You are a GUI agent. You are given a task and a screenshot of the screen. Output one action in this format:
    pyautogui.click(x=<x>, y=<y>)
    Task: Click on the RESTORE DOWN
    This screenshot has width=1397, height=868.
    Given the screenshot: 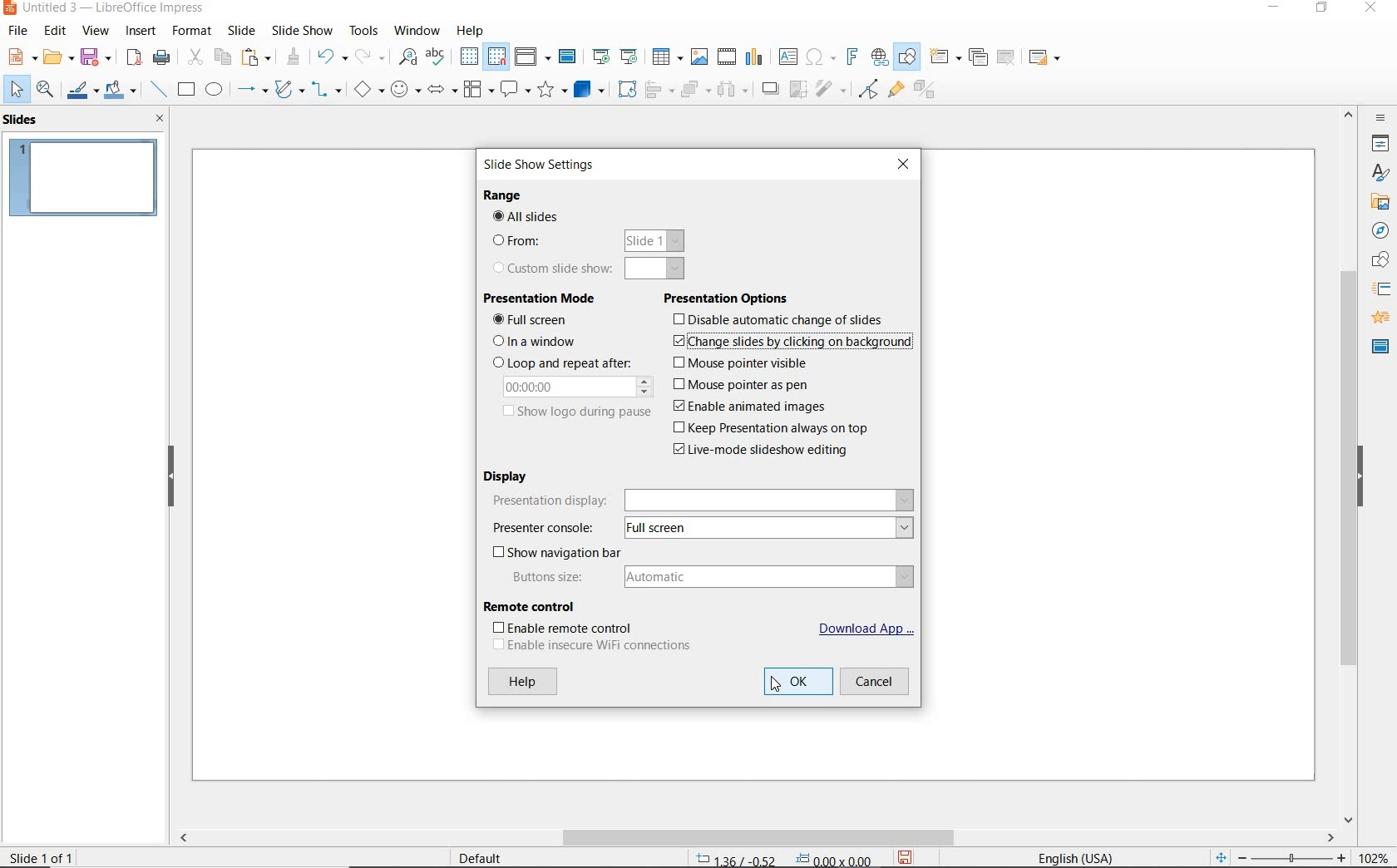 What is the action you would take?
    pyautogui.click(x=1323, y=8)
    